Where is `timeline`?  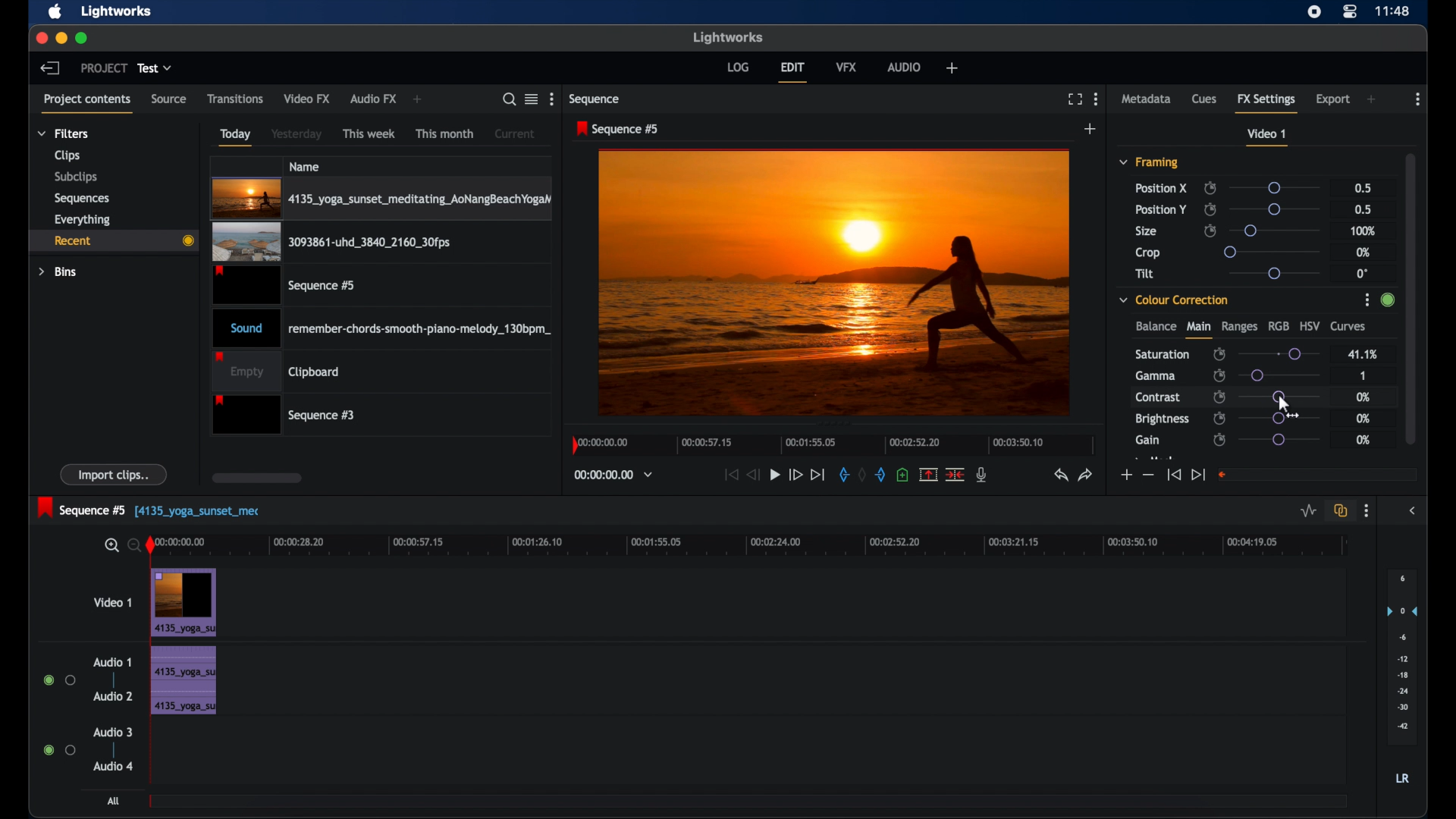
timeline is located at coordinates (830, 448).